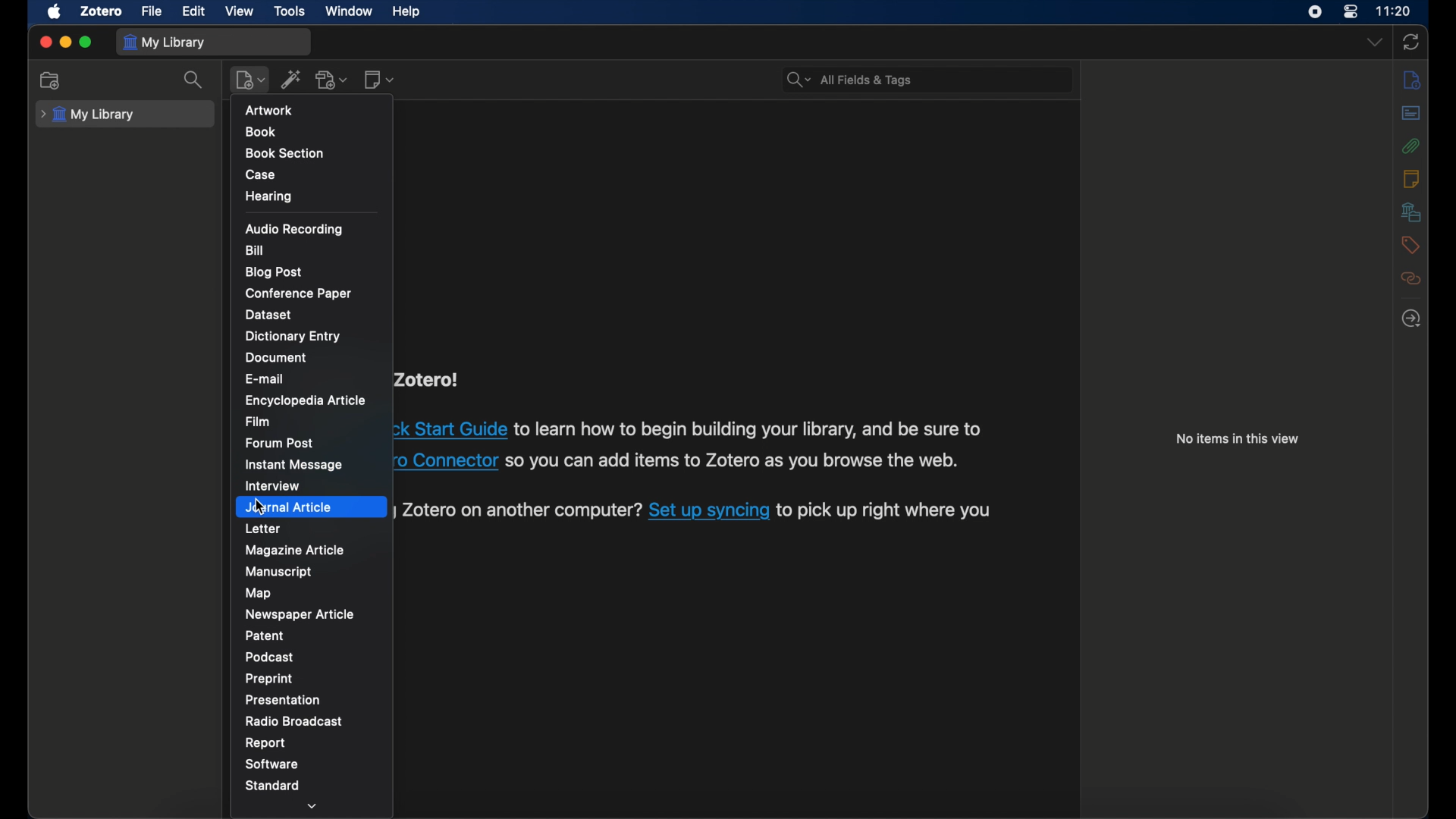 This screenshot has width=1456, height=819. I want to click on libraries, so click(1411, 212).